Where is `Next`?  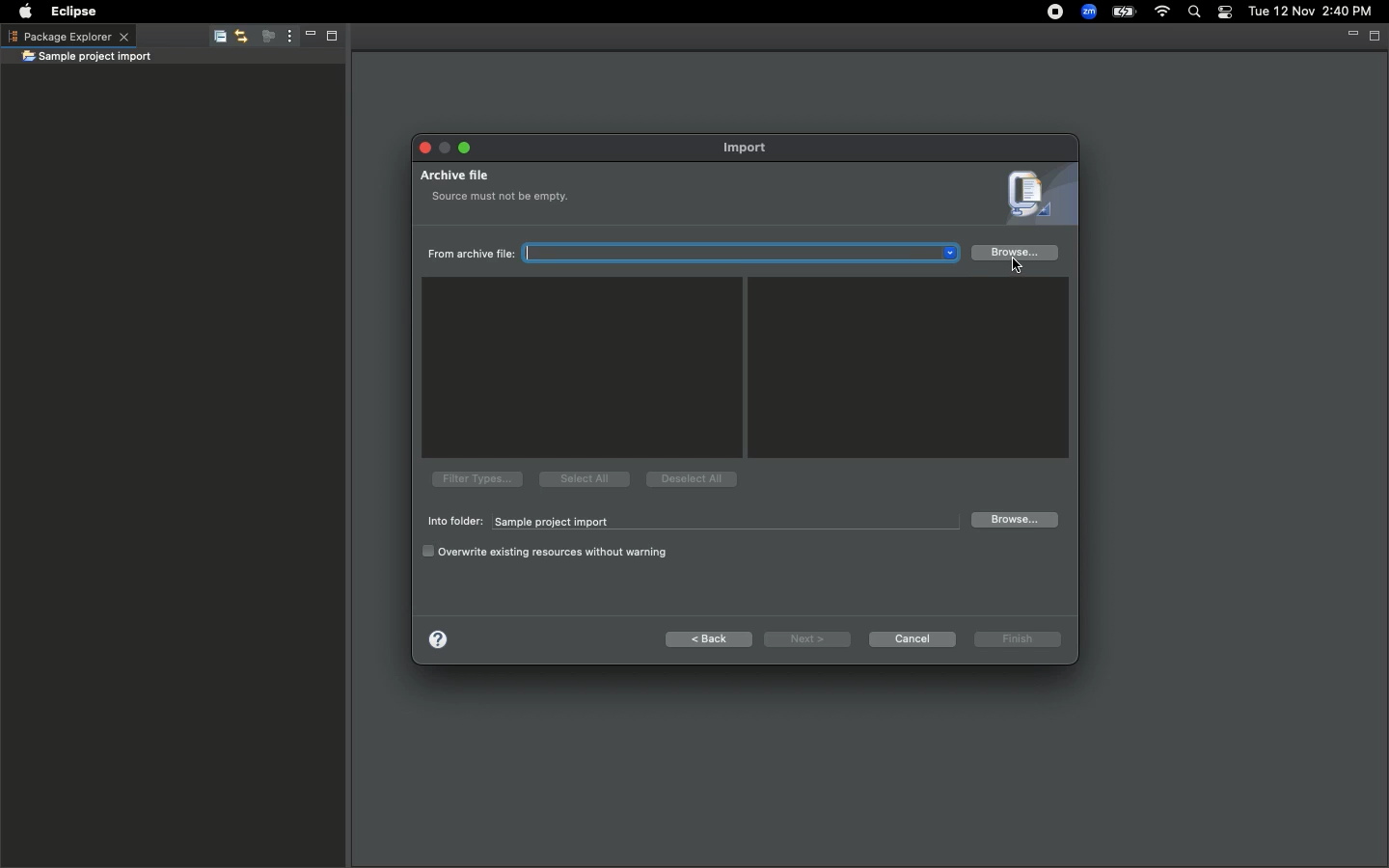 Next is located at coordinates (807, 639).